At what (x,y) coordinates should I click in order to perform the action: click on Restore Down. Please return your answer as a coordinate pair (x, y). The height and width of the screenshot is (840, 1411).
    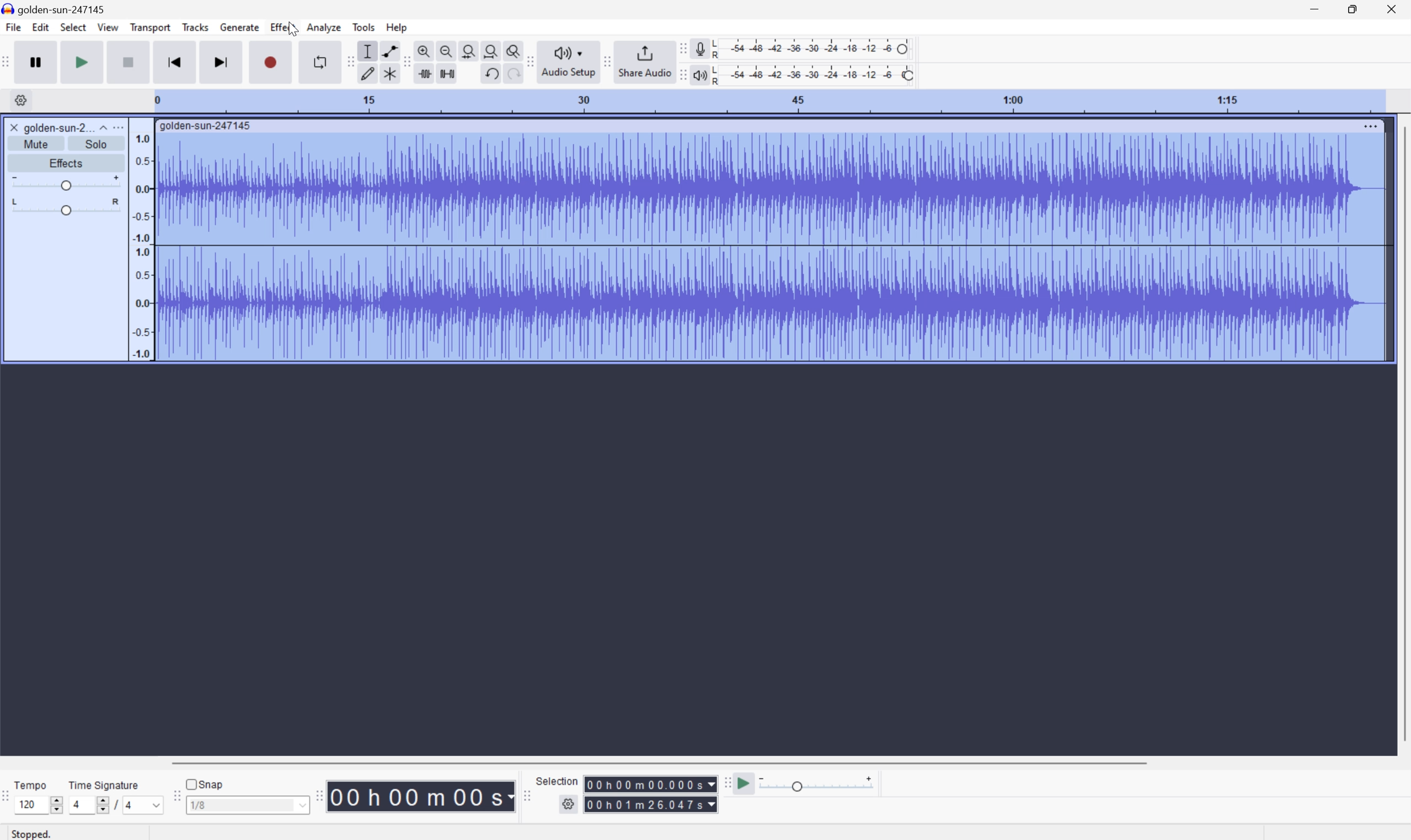
    Looking at the image, I should click on (1352, 10).